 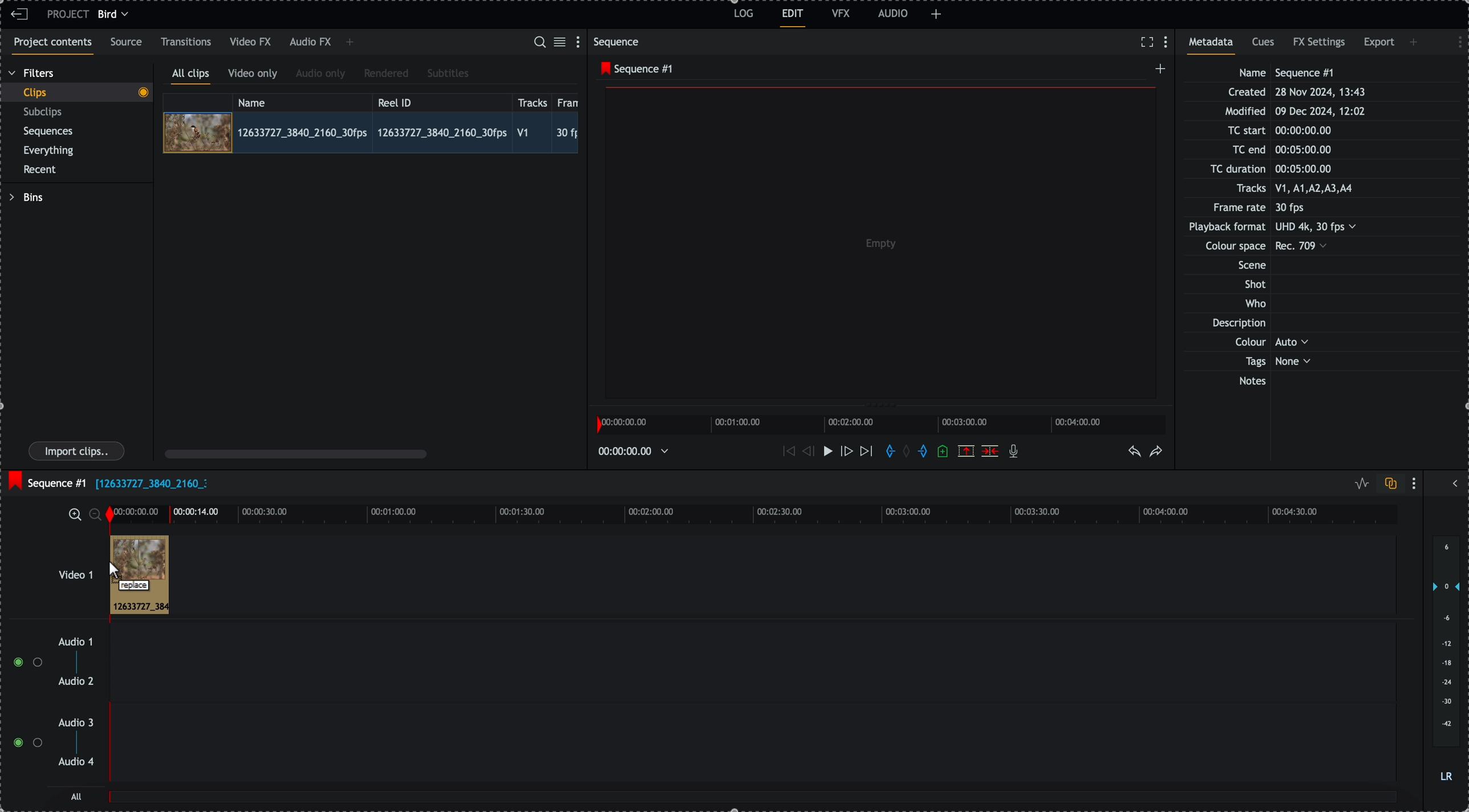 What do you see at coordinates (1379, 44) in the screenshot?
I see `export` at bounding box center [1379, 44].